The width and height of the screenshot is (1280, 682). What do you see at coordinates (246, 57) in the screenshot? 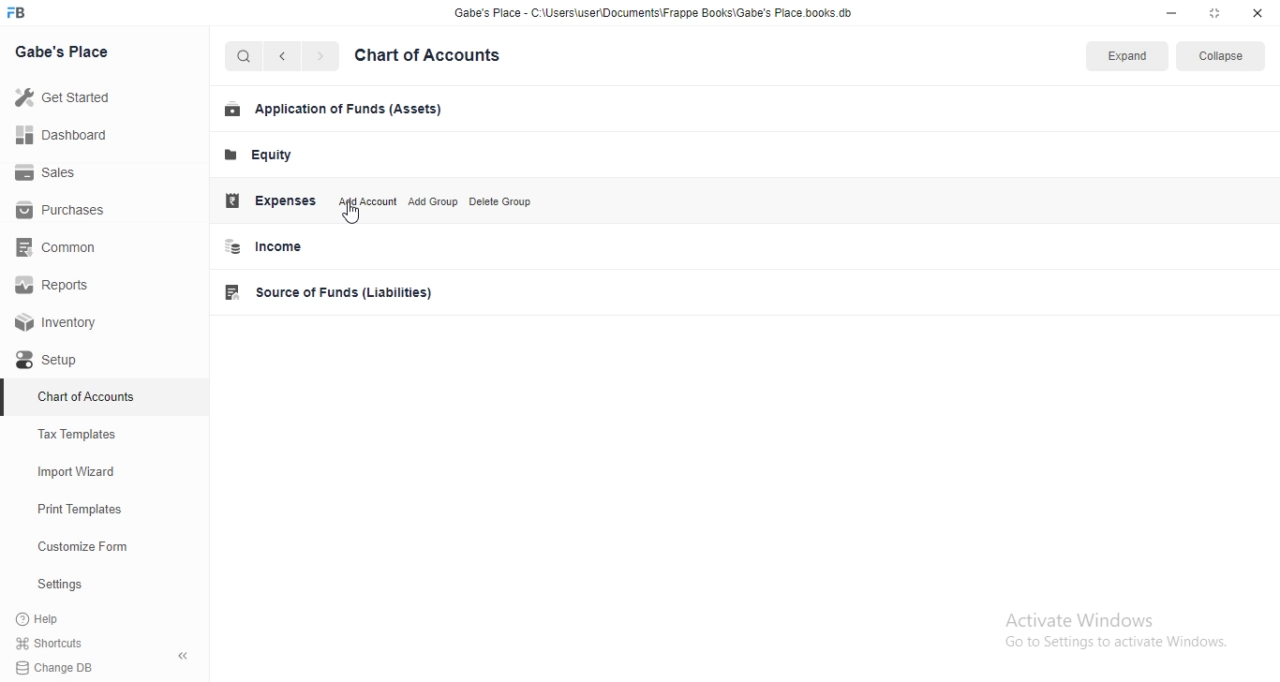
I see `Search` at bounding box center [246, 57].